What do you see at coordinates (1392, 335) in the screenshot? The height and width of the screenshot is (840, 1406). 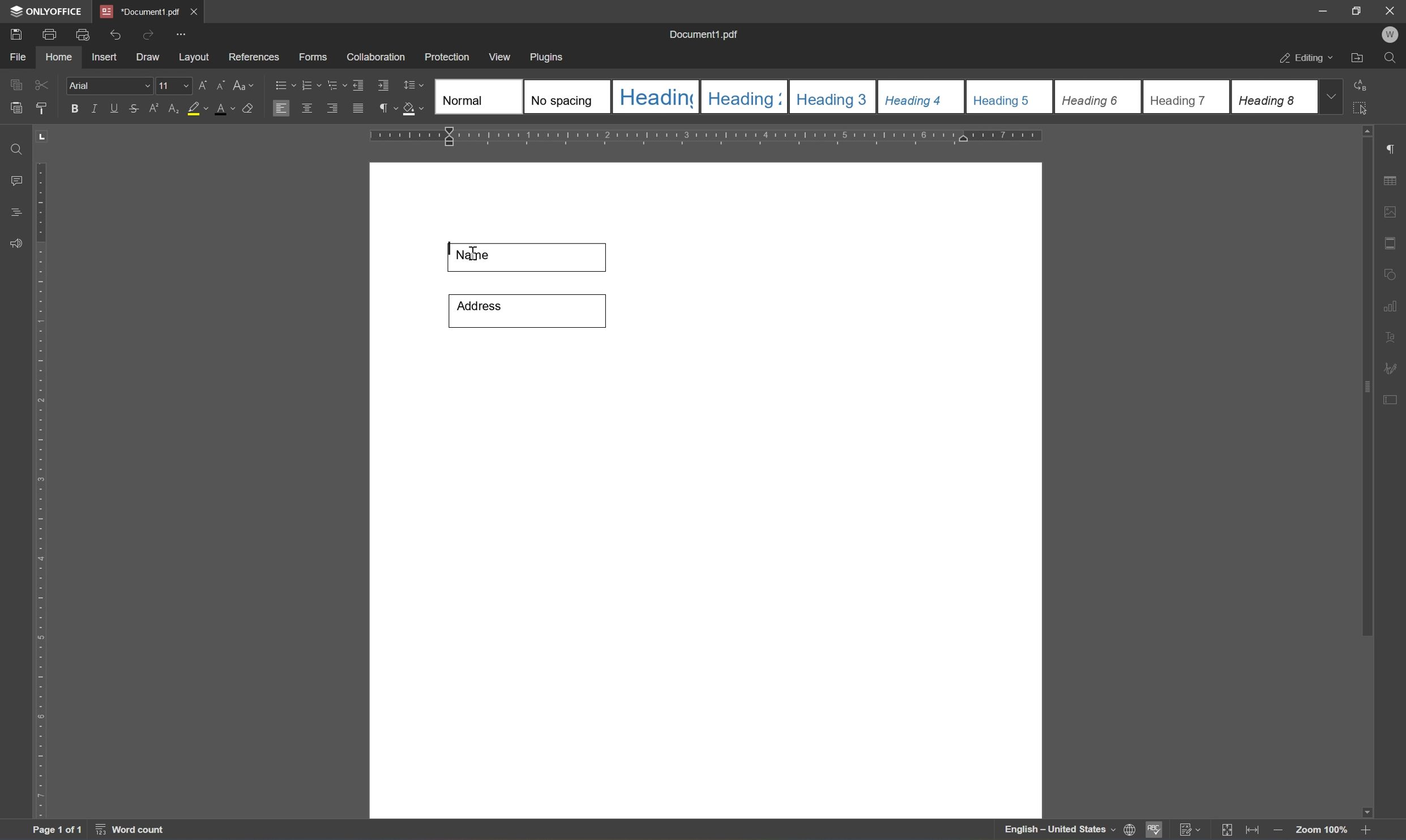 I see `text art settings` at bounding box center [1392, 335].